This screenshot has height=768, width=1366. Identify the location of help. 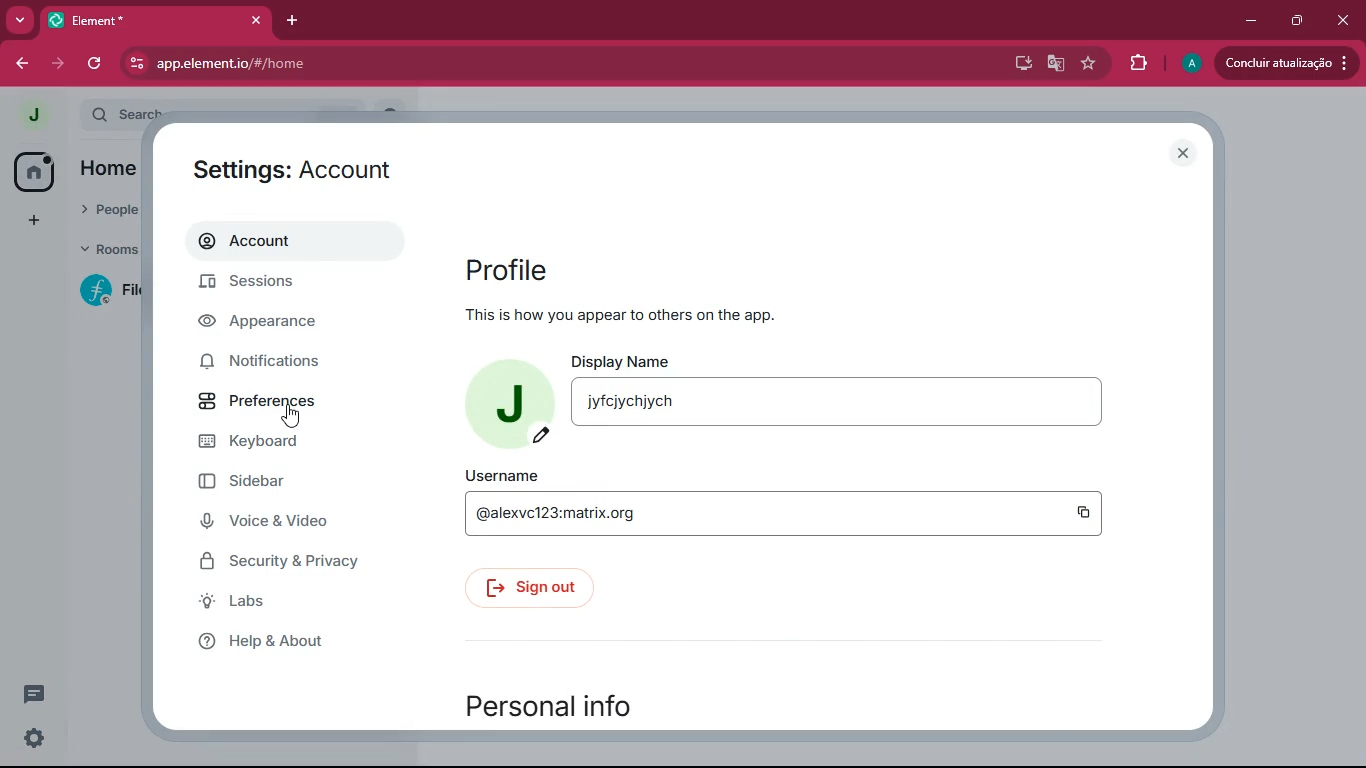
(293, 641).